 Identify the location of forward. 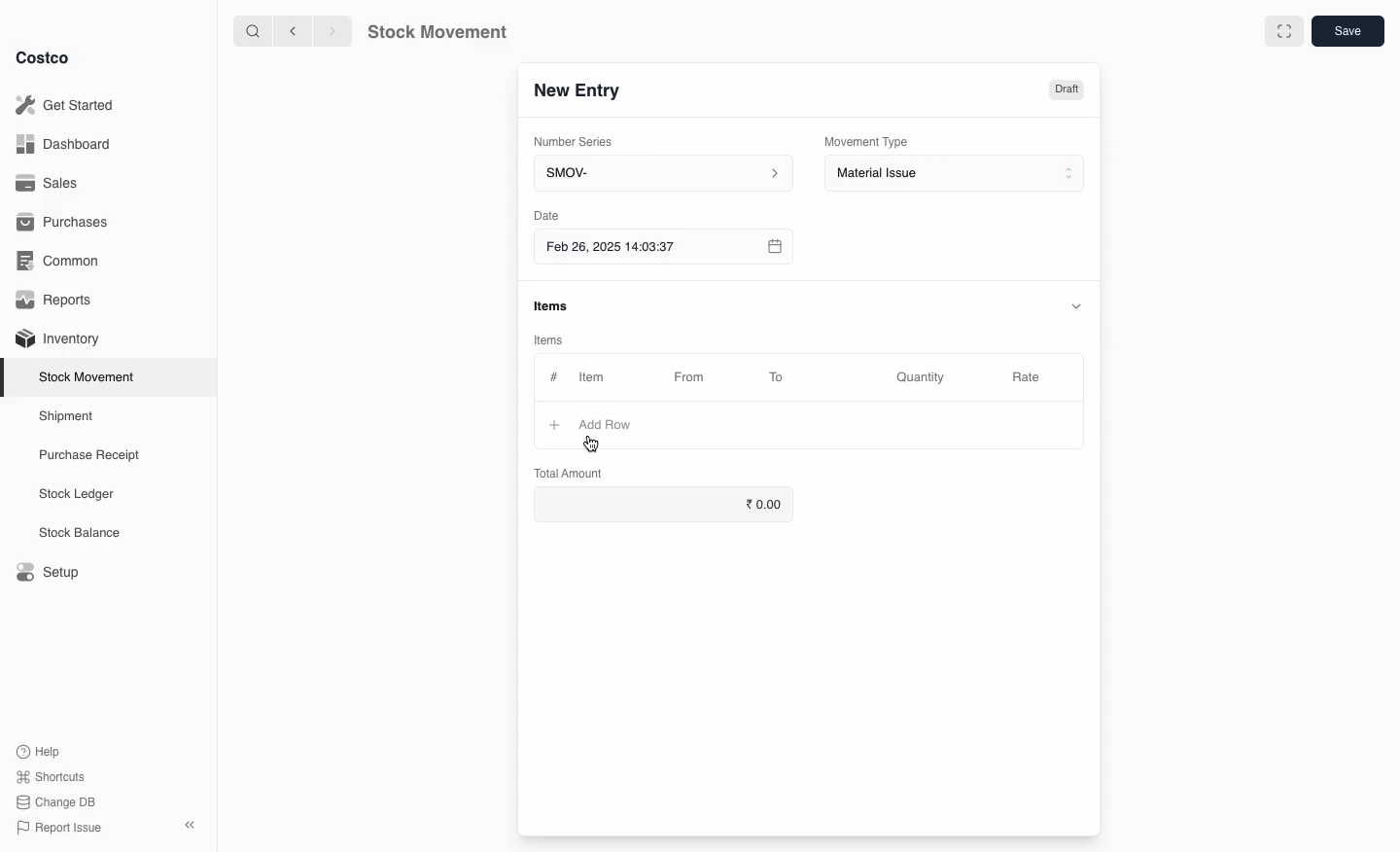
(328, 30).